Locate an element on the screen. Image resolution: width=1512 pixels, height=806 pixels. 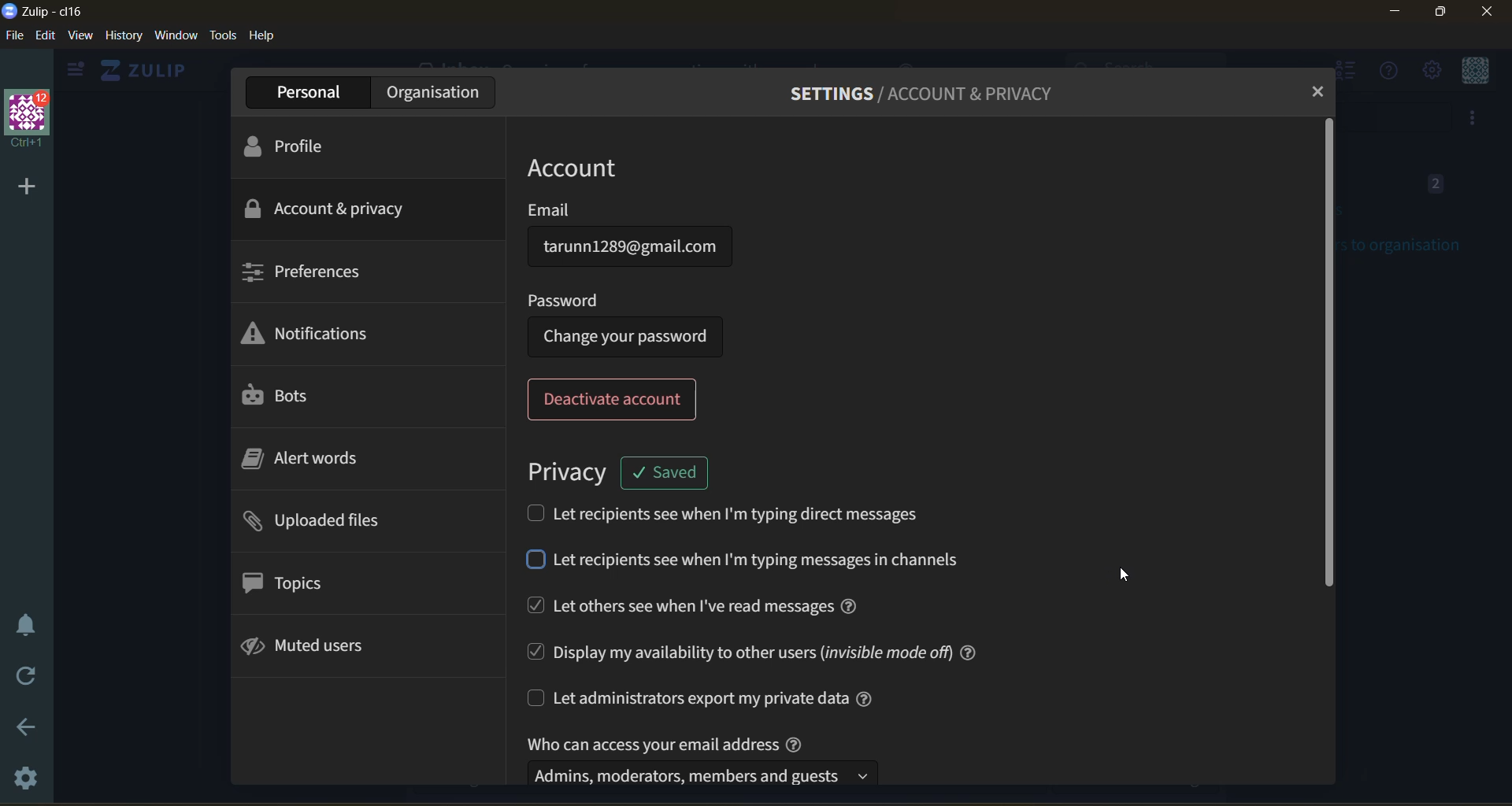
edit is located at coordinates (46, 35).